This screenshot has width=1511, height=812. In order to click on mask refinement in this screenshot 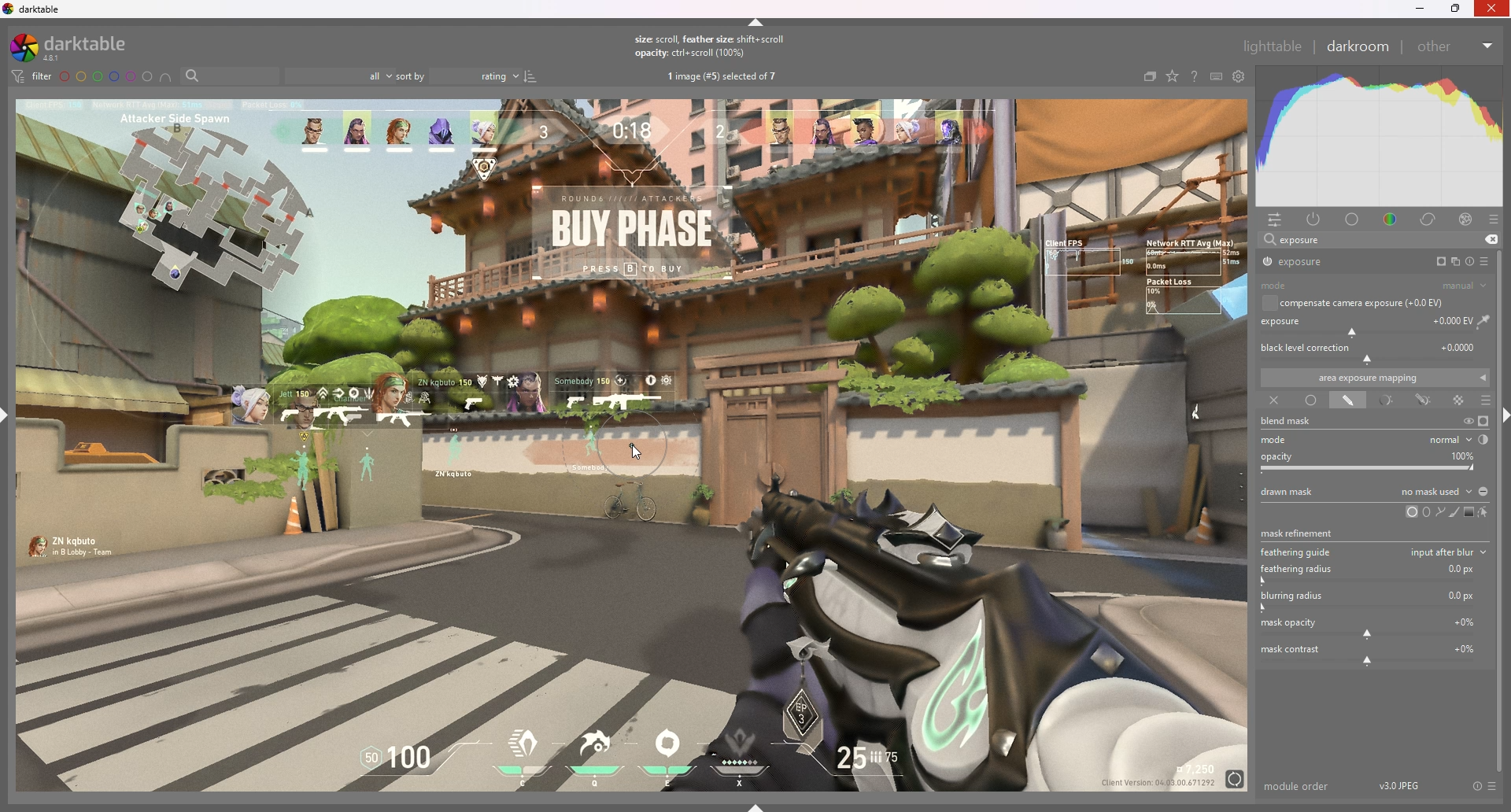, I will do `click(1300, 531)`.